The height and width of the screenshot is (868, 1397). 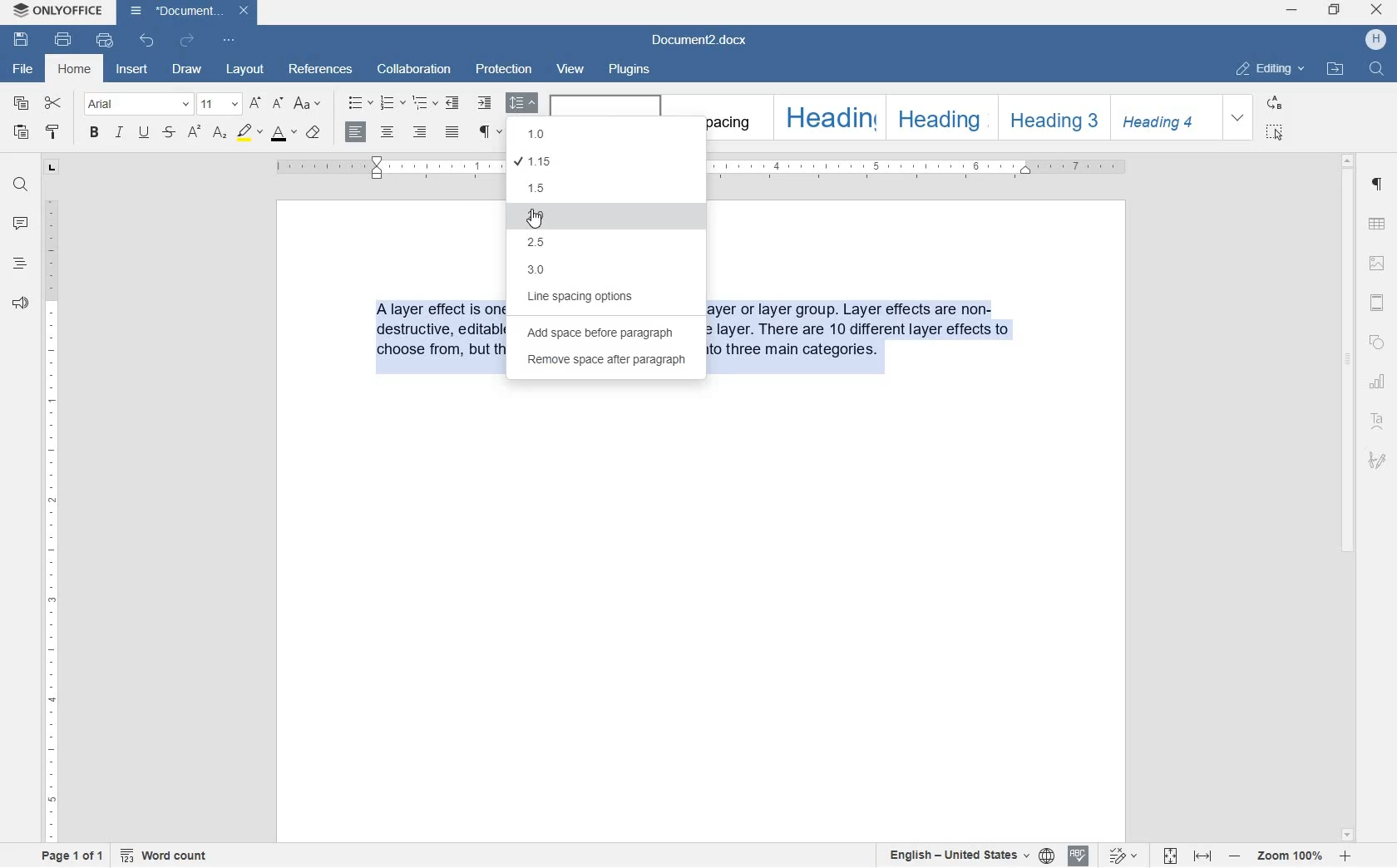 What do you see at coordinates (456, 102) in the screenshot?
I see `decrease indent` at bounding box center [456, 102].